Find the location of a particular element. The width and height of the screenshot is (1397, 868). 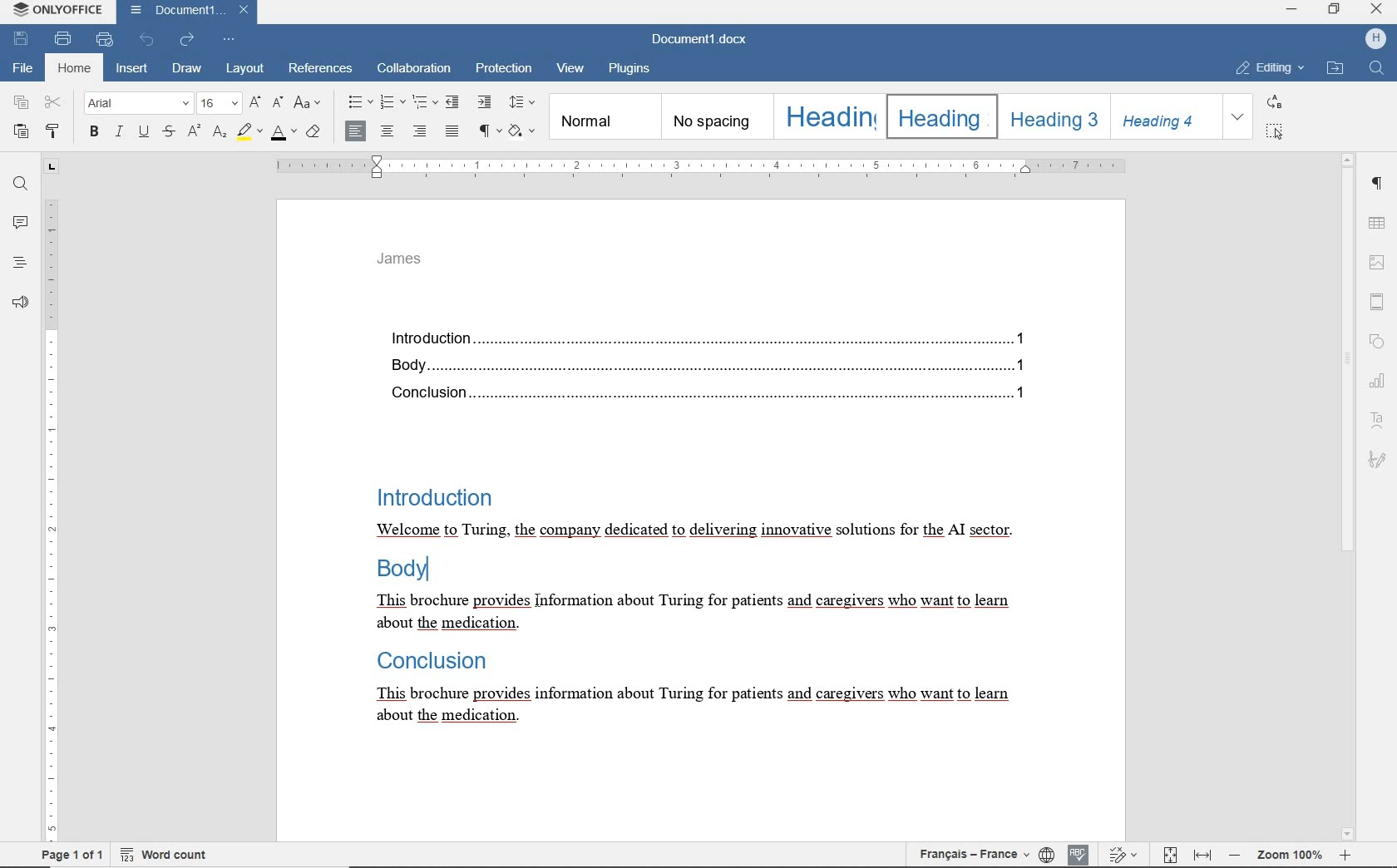

PARAGRAPH LINE SPACING is located at coordinates (523, 103).